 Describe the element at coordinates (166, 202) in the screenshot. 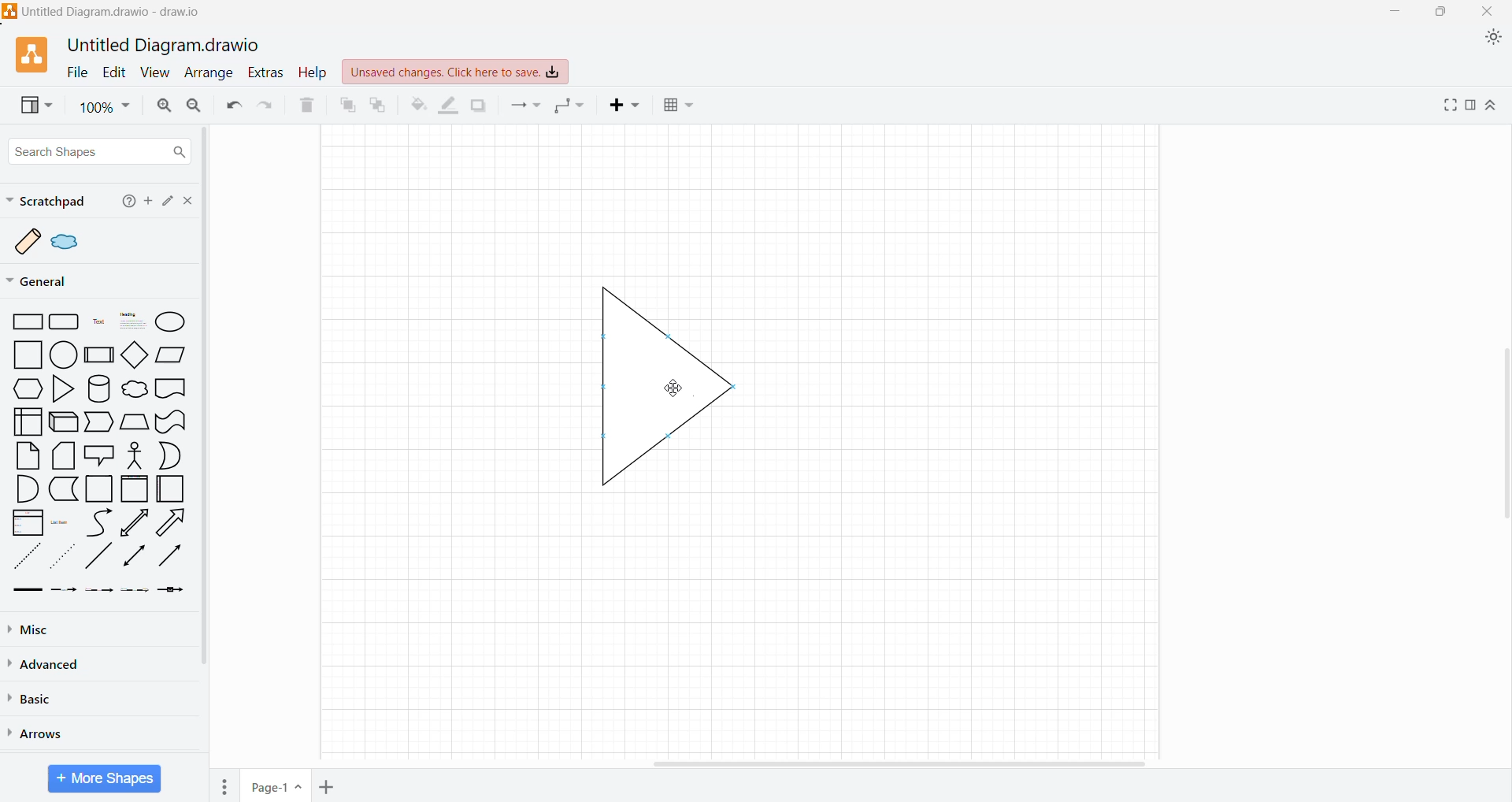

I see `Edit` at that location.